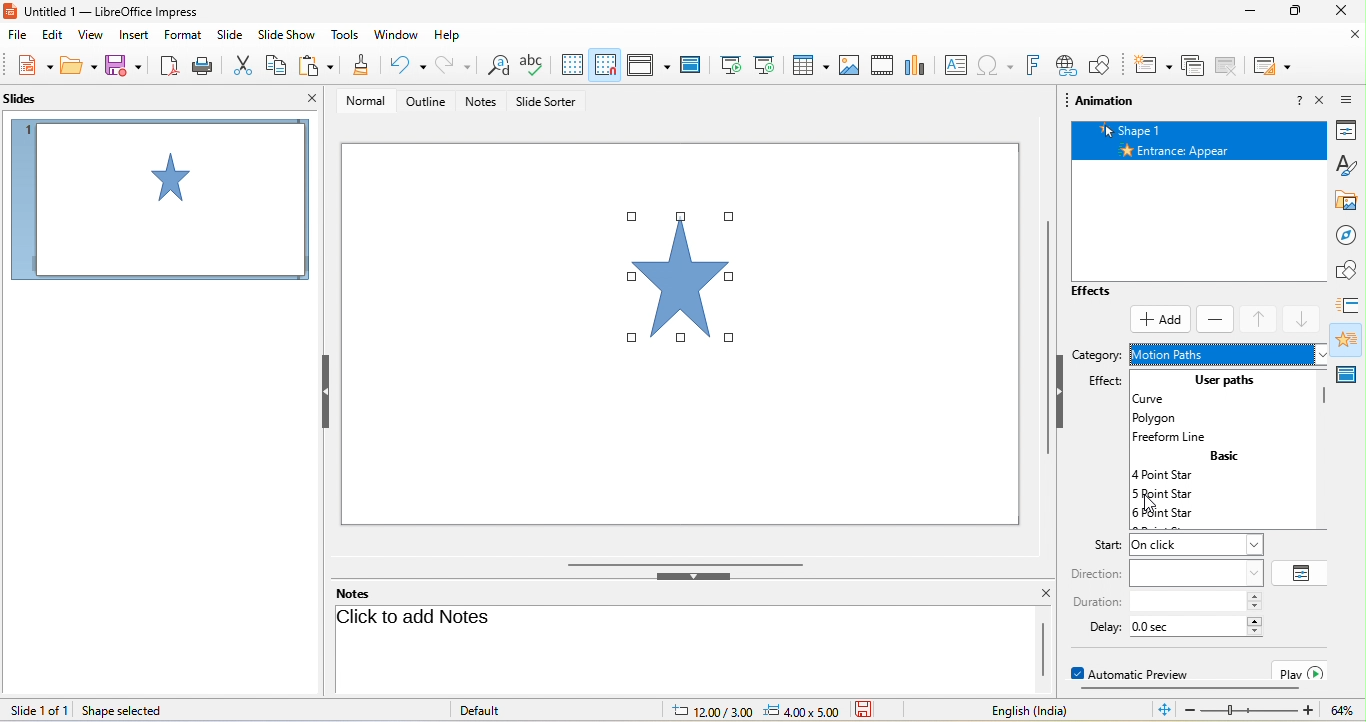 Image resolution: width=1366 pixels, height=722 pixels. I want to click on text language, so click(1016, 710).